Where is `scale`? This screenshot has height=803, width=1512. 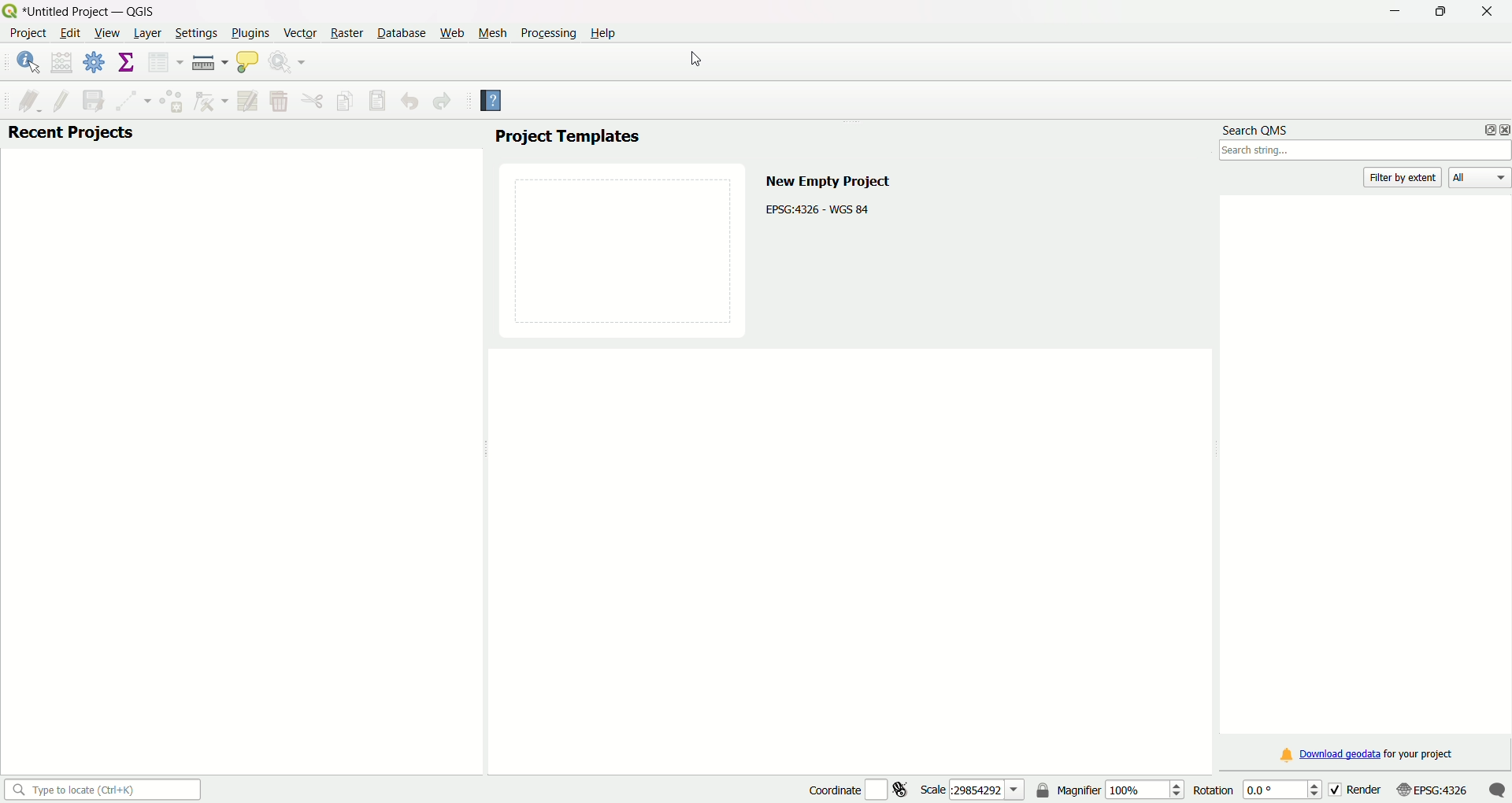
scale is located at coordinates (973, 789).